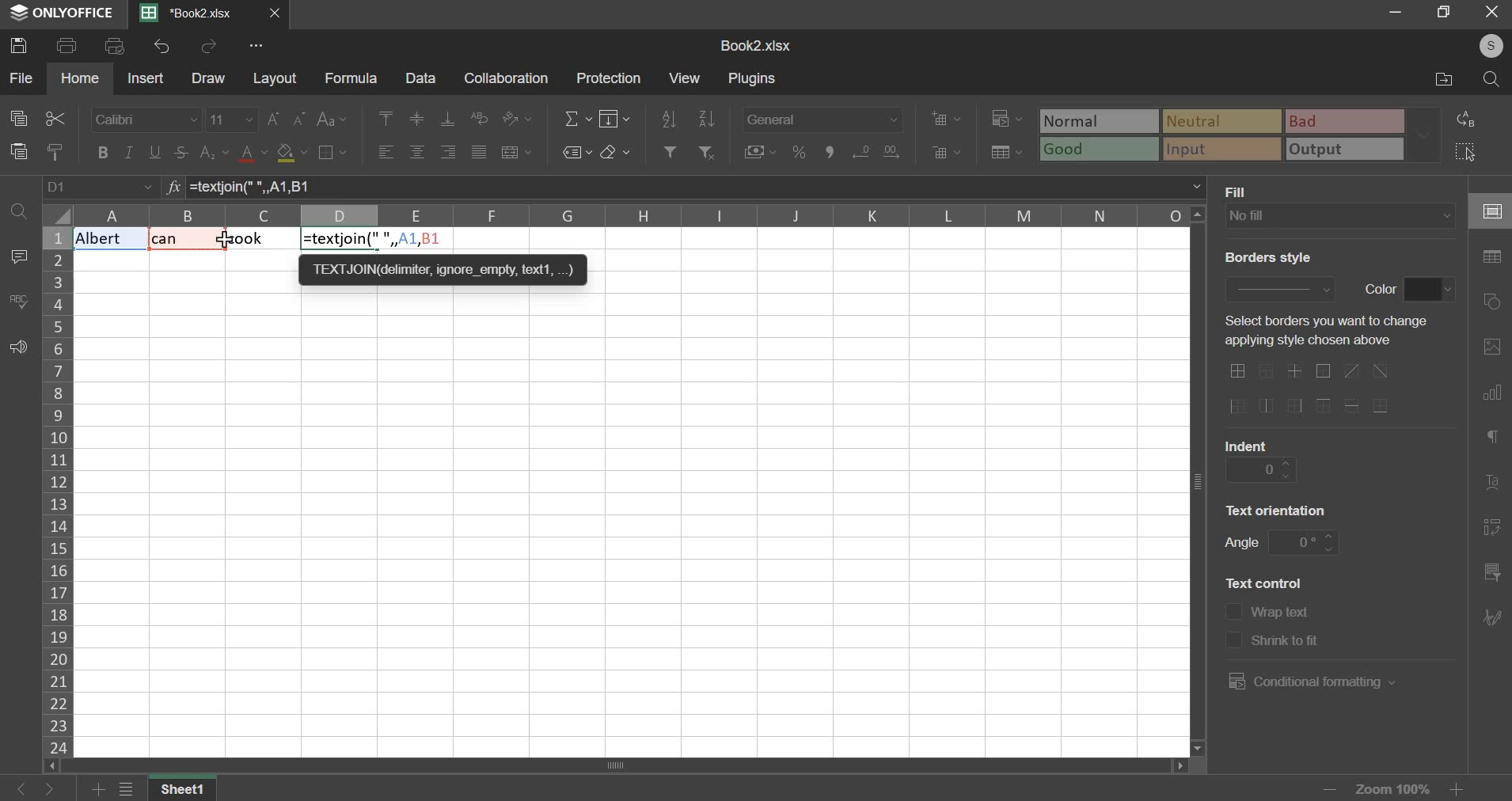 The image size is (1512, 801). I want to click on text color, so click(254, 154).